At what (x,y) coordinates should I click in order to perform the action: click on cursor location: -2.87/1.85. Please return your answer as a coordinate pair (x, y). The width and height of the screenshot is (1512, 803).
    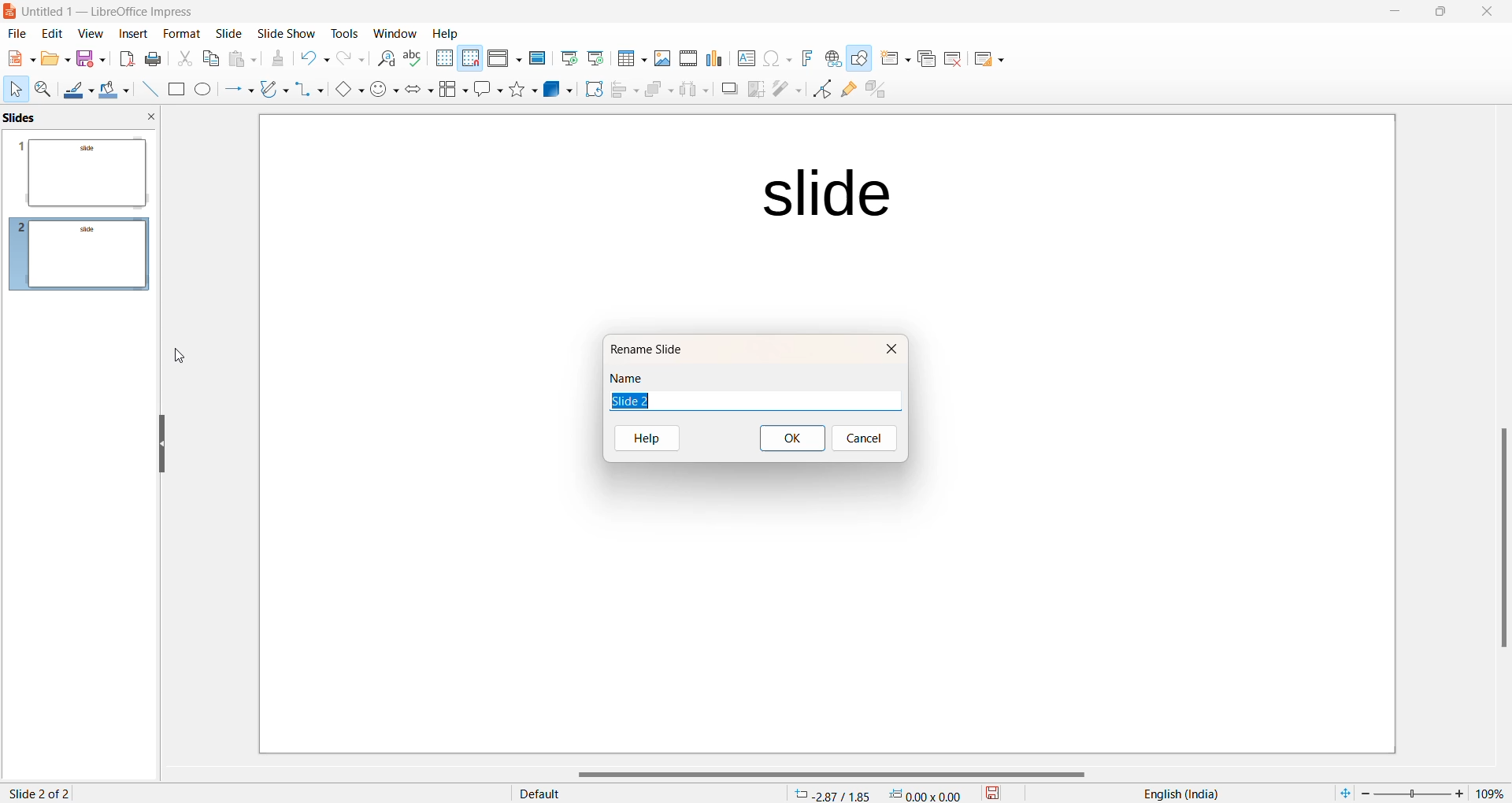
    Looking at the image, I should click on (832, 794).